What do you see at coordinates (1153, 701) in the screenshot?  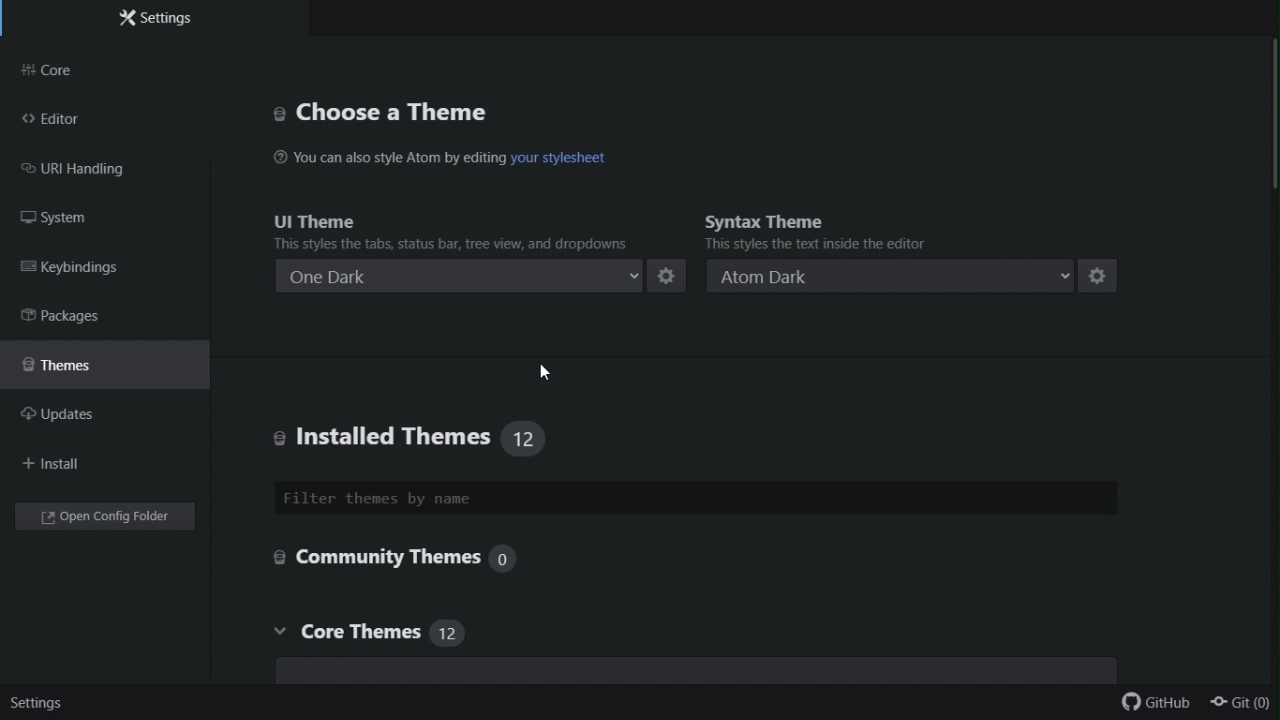 I see `github` at bounding box center [1153, 701].